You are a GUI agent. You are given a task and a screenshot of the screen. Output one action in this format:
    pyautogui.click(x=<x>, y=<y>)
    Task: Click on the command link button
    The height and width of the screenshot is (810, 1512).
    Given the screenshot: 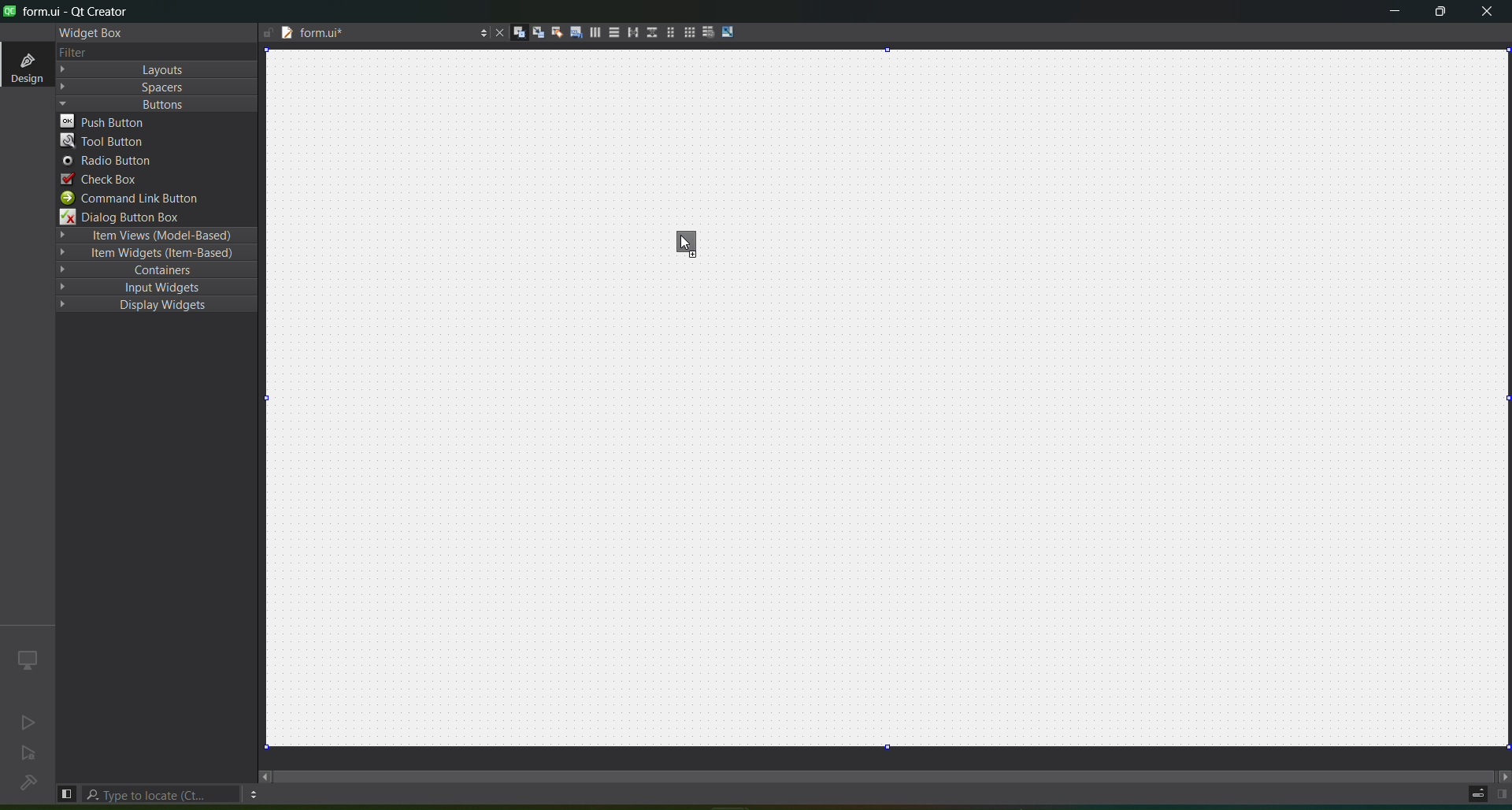 What is the action you would take?
    pyautogui.click(x=154, y=198)
    